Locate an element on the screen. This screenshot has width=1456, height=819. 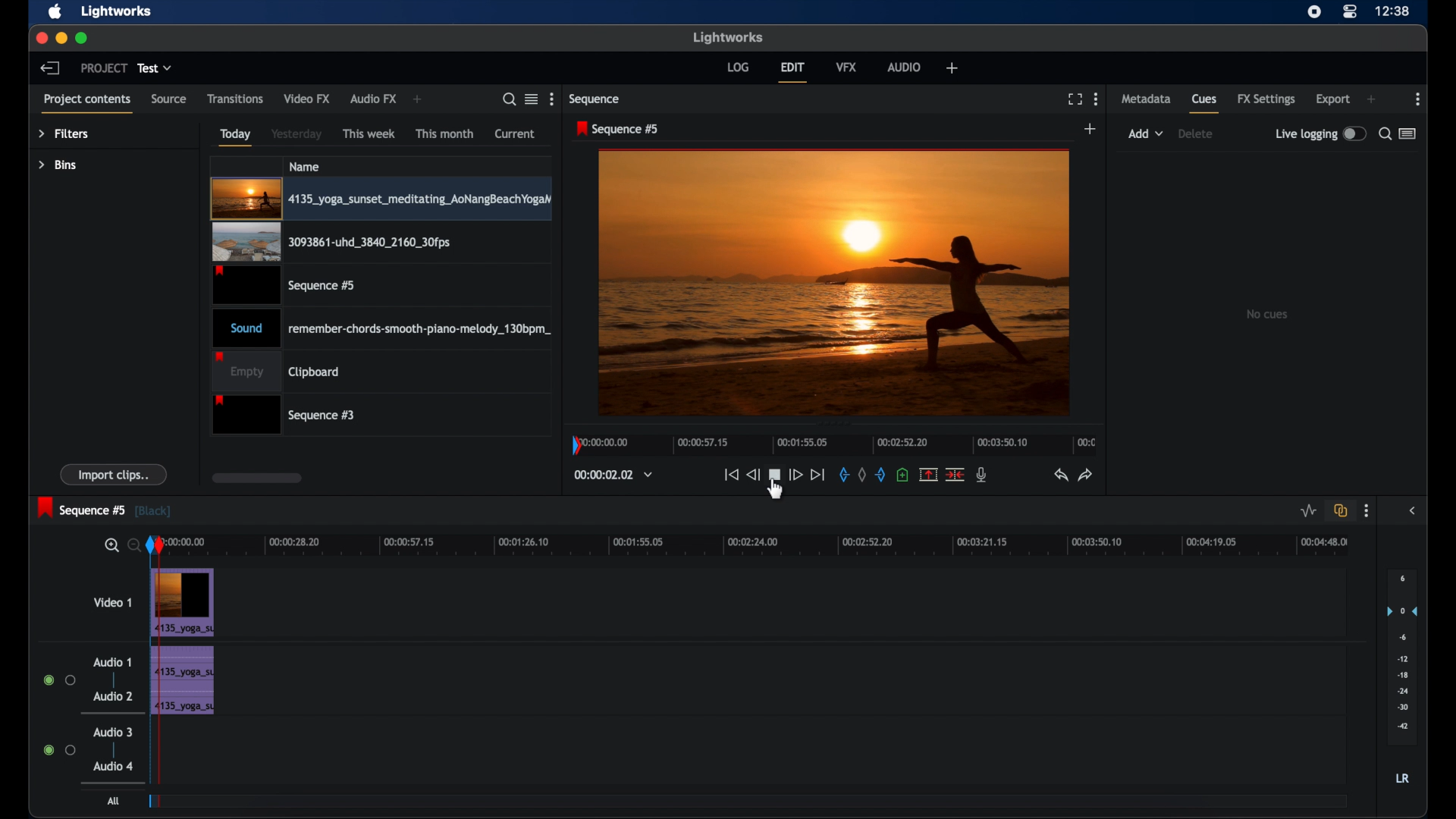
undo is located at coordinates (1061, 475).